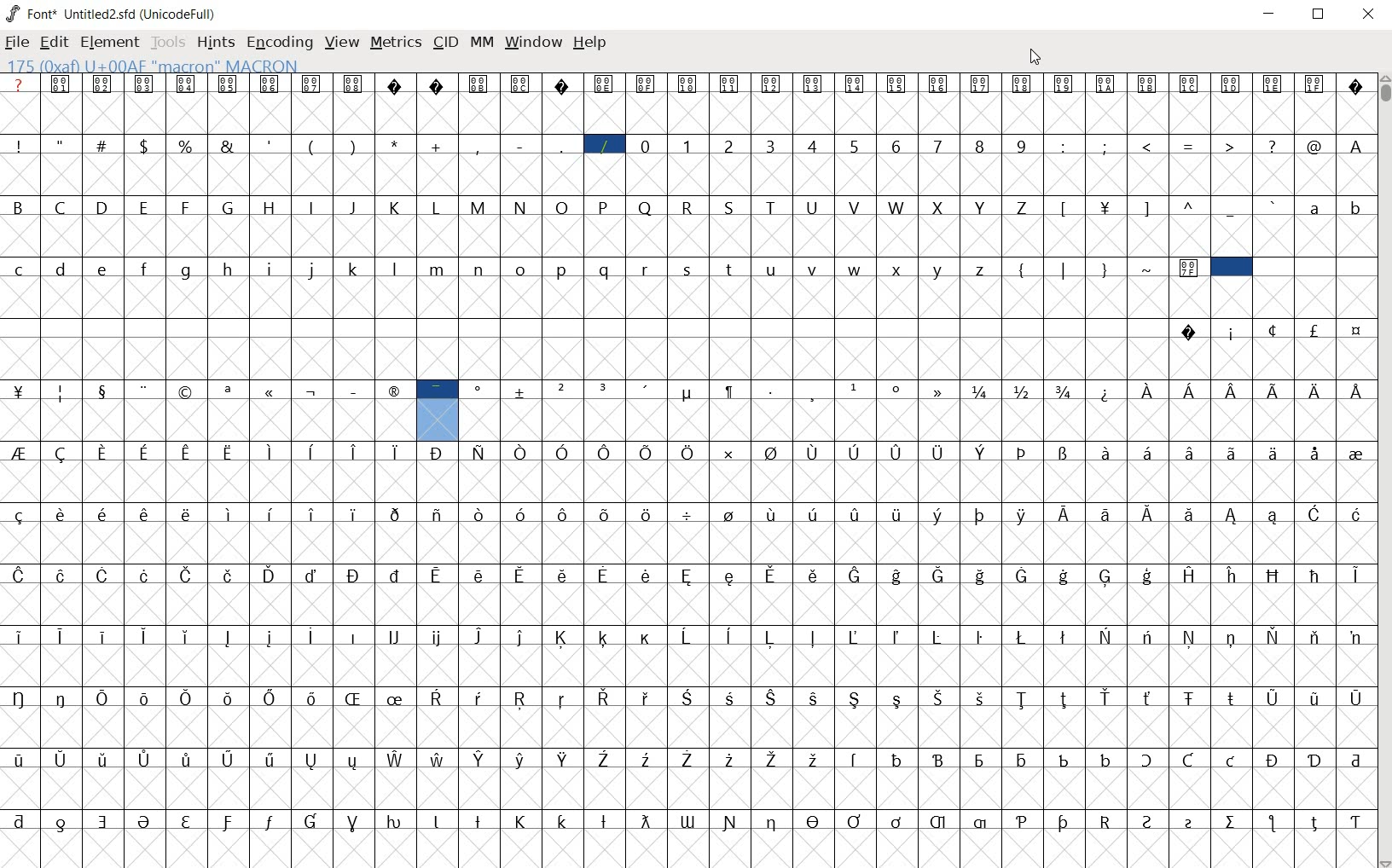 This screenshot has width=1392, height=868. What do you see at coordinates (437, 165) in the screenshot?
I see `addition` at bounding box center [437, 165].